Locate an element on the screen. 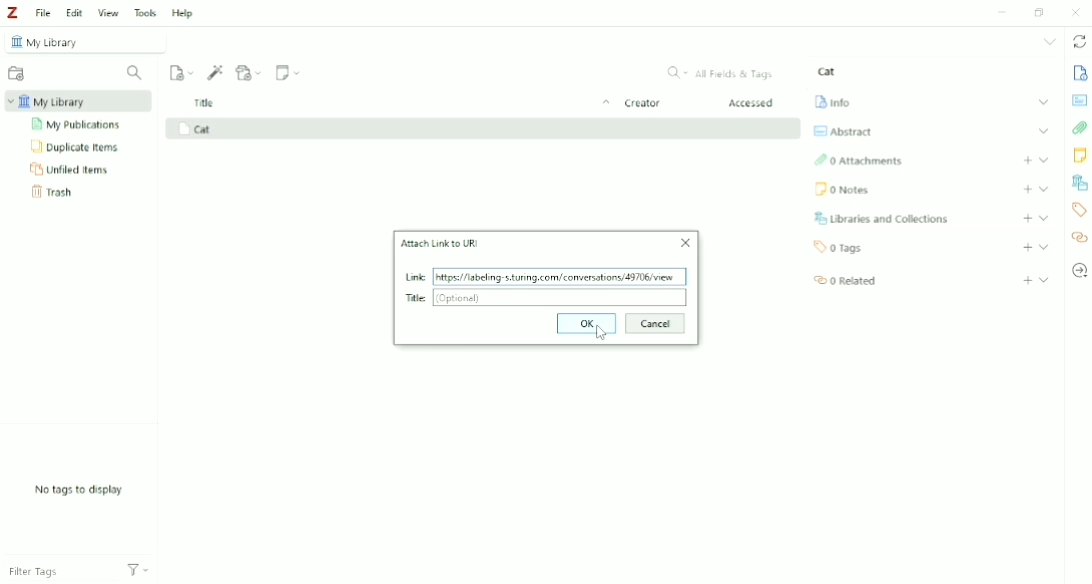 The height and width of the screenshot is (584, 1092). Expand section is located at coordinates (1044, 102).